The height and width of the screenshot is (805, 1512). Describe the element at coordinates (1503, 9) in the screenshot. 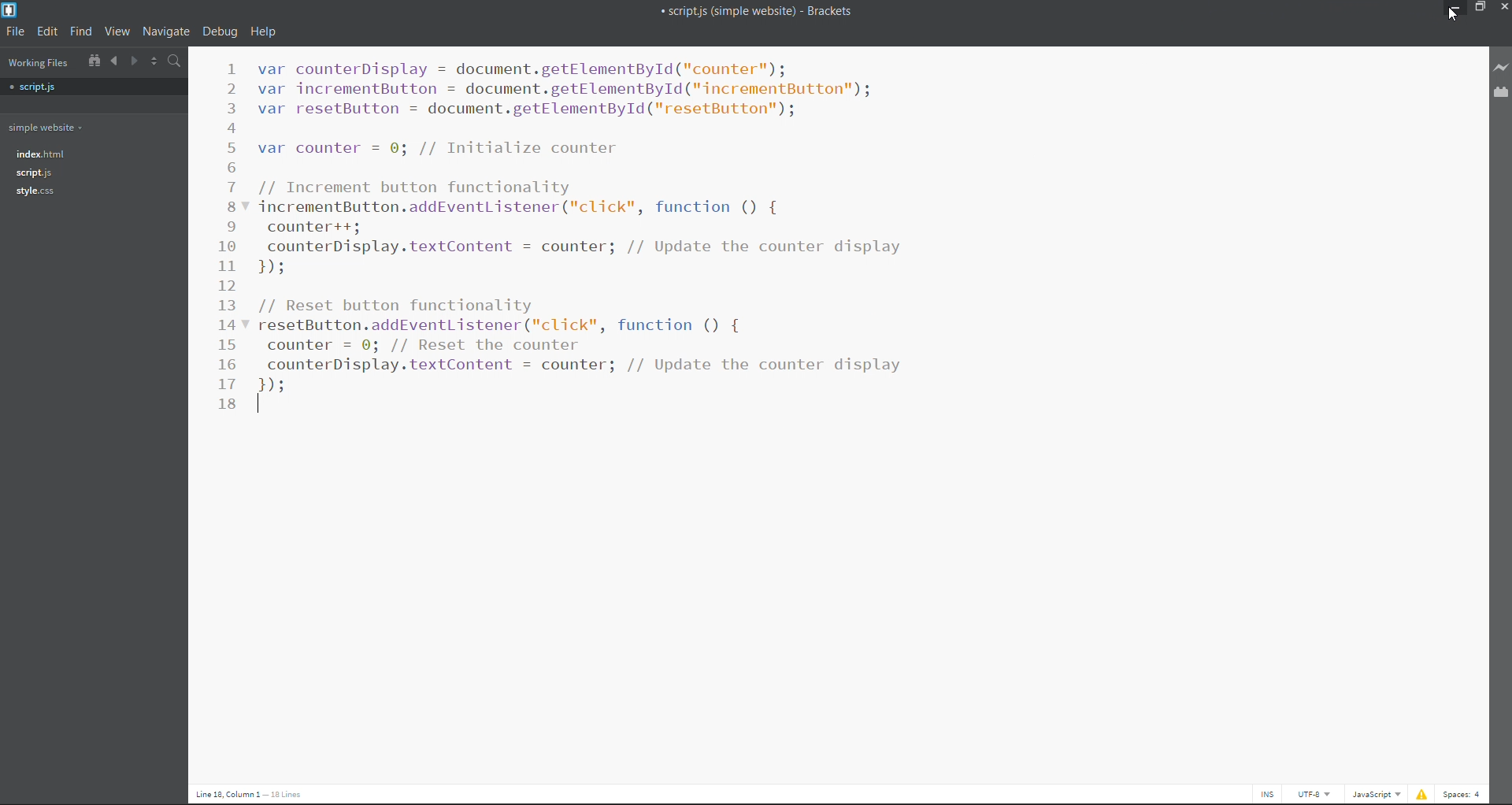

I see `close` at that location.